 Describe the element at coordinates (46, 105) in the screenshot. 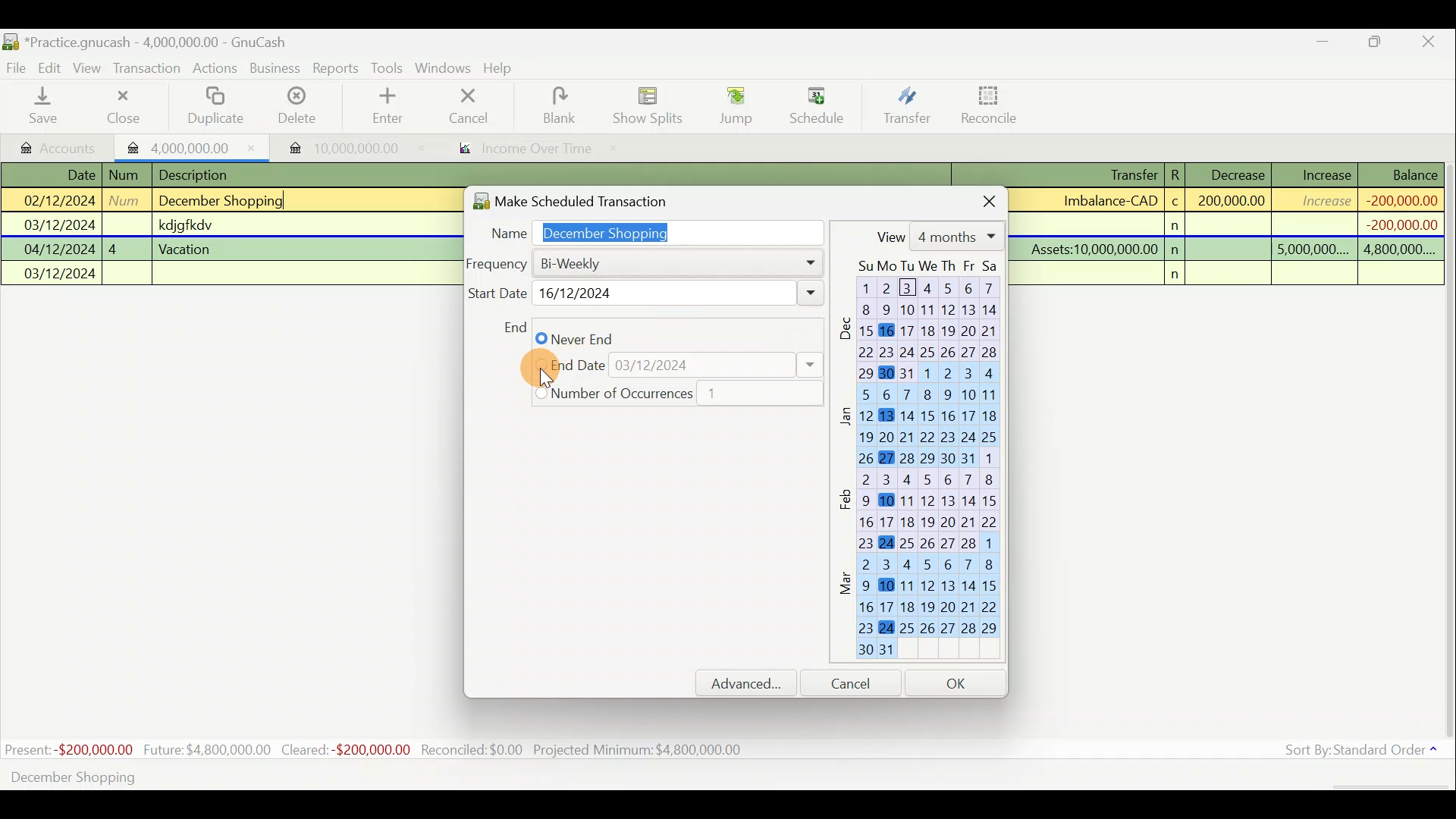

I see `Save` at that location.